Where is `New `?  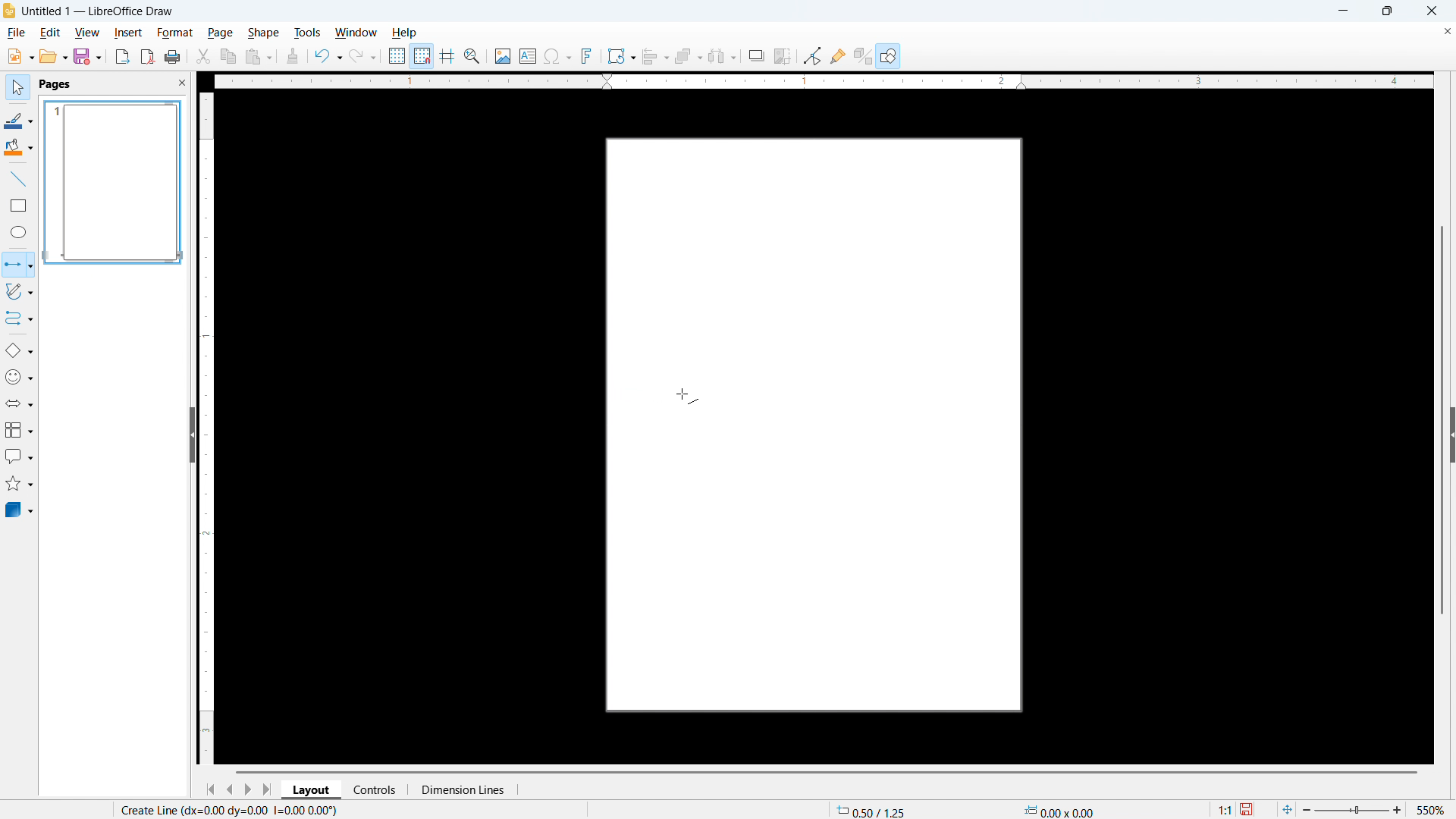
New  is located at coordinates (20, 57).